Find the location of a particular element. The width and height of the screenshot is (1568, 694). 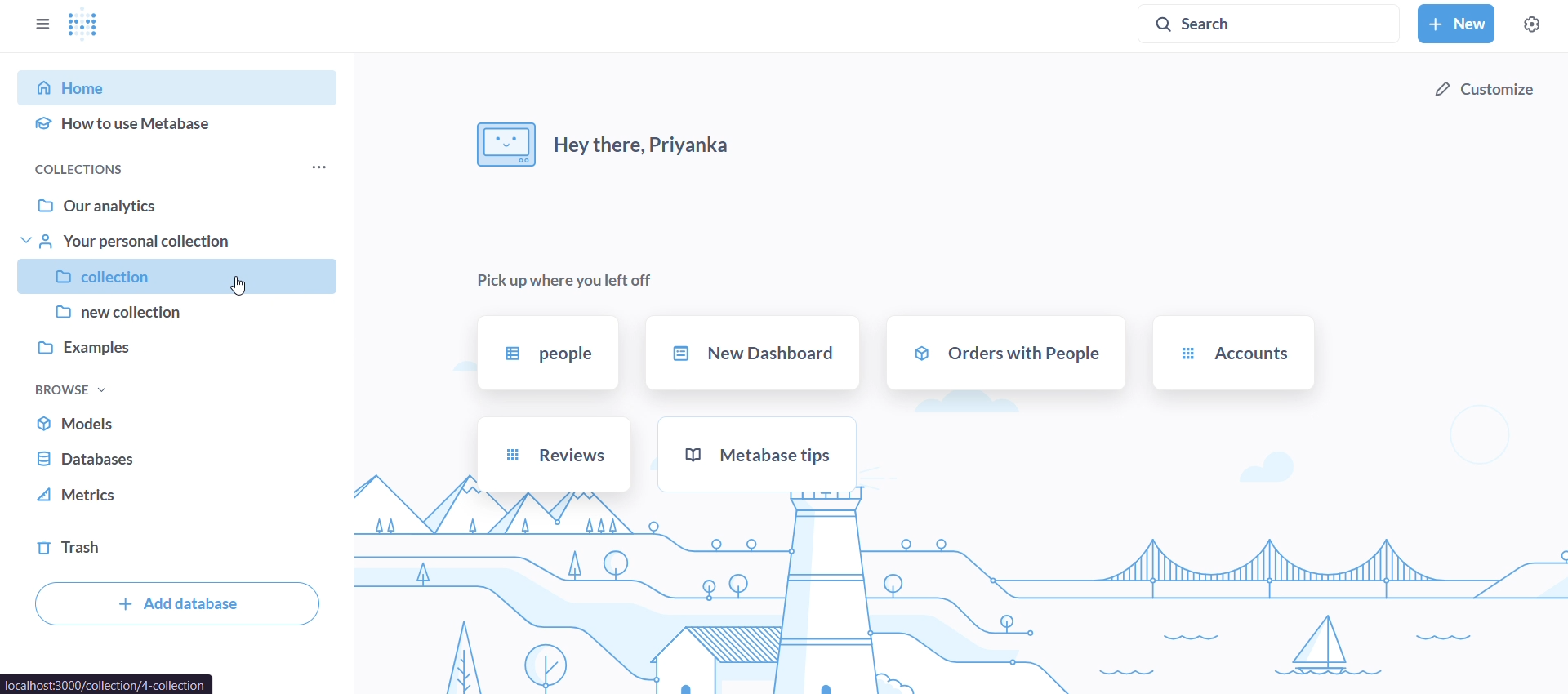

your personal collection is located at coordinates (180, 242).